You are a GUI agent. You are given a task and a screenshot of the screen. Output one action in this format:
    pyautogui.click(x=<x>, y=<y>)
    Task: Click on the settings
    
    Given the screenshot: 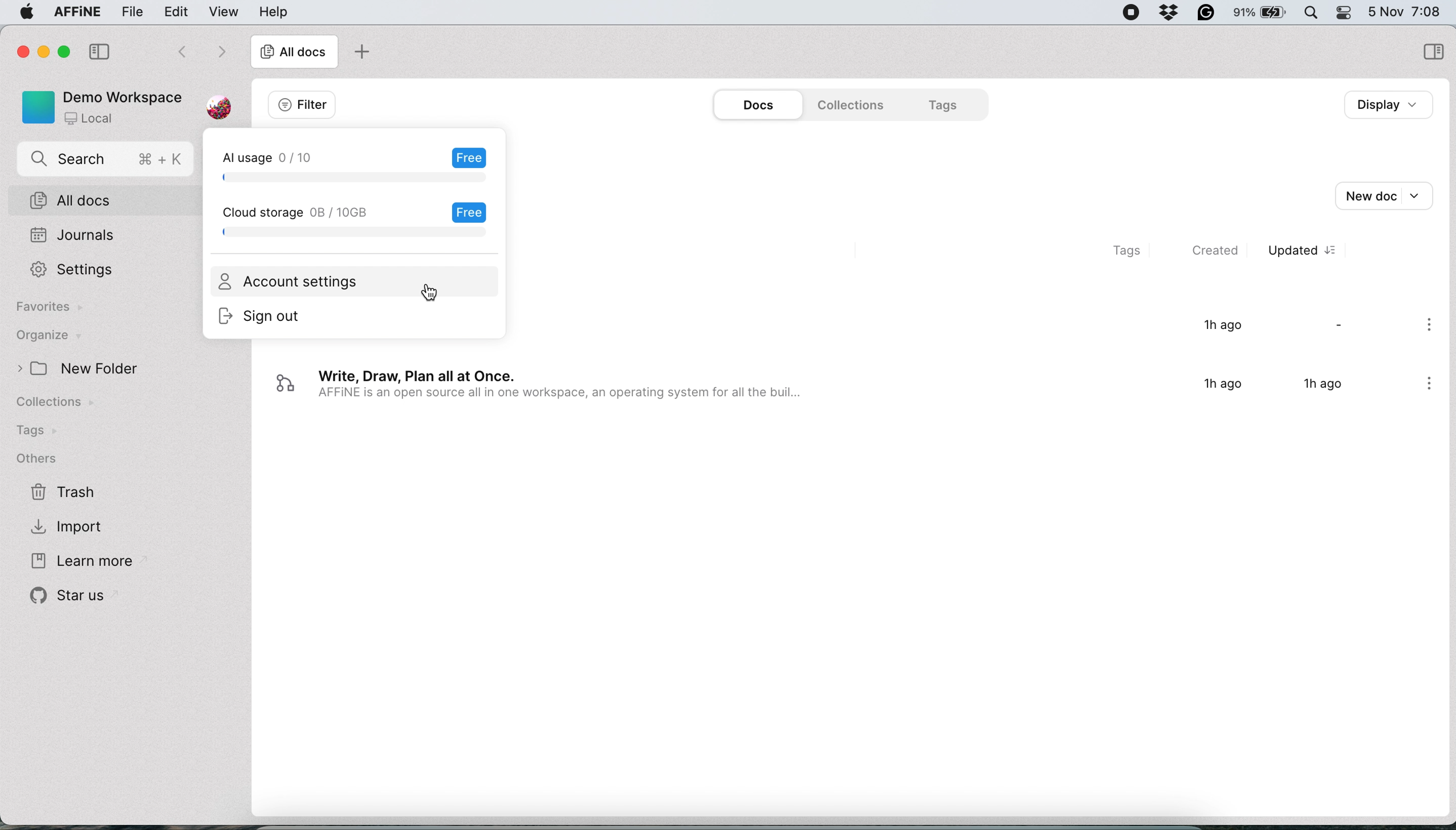 What is the action you would take?
    pyautogui.click(x=70, y=270)
    